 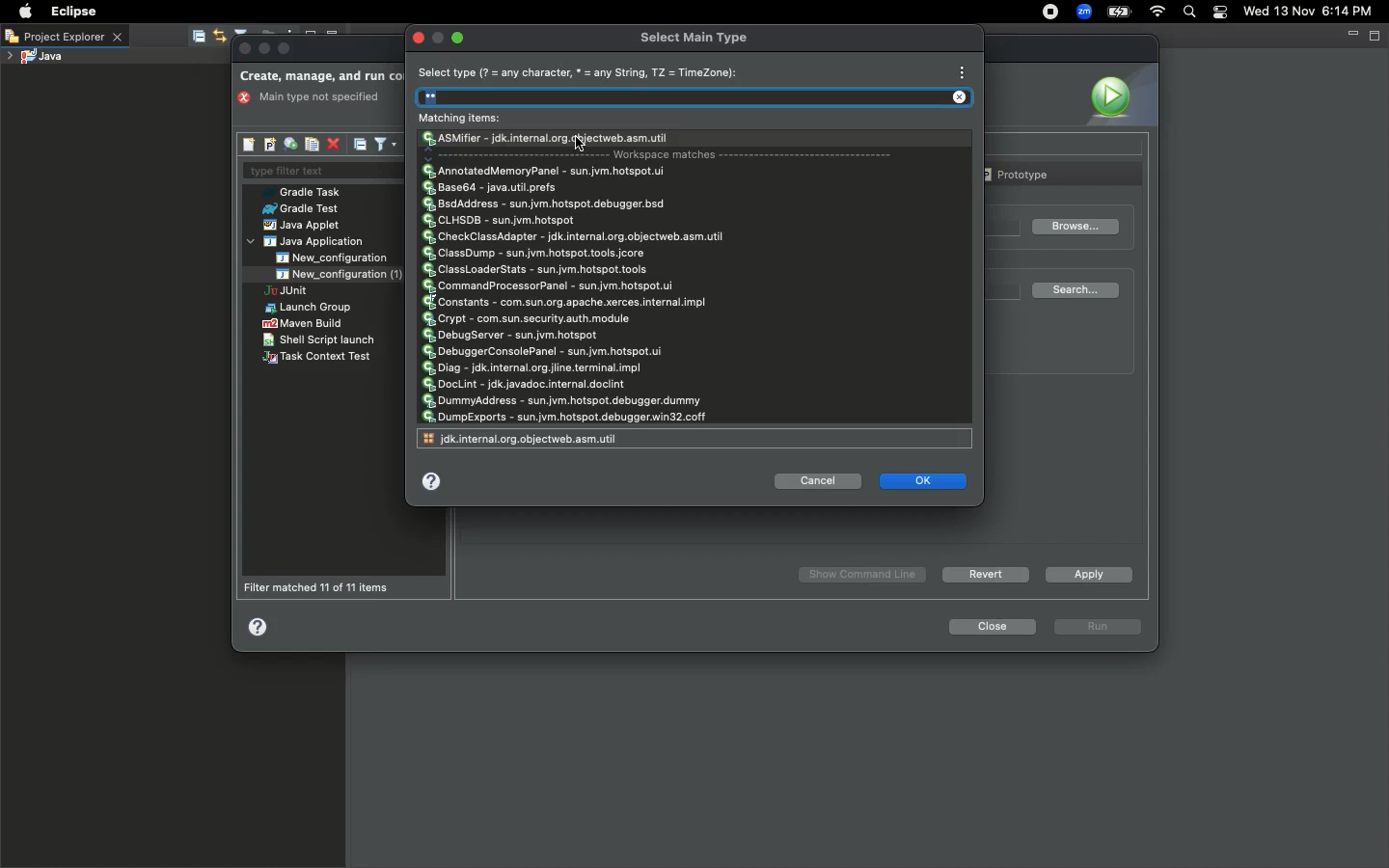 What do you see at coordinates (385, 143) in the screenshot?
I see `Filter launch configurations` at bounding box center [385, 143].